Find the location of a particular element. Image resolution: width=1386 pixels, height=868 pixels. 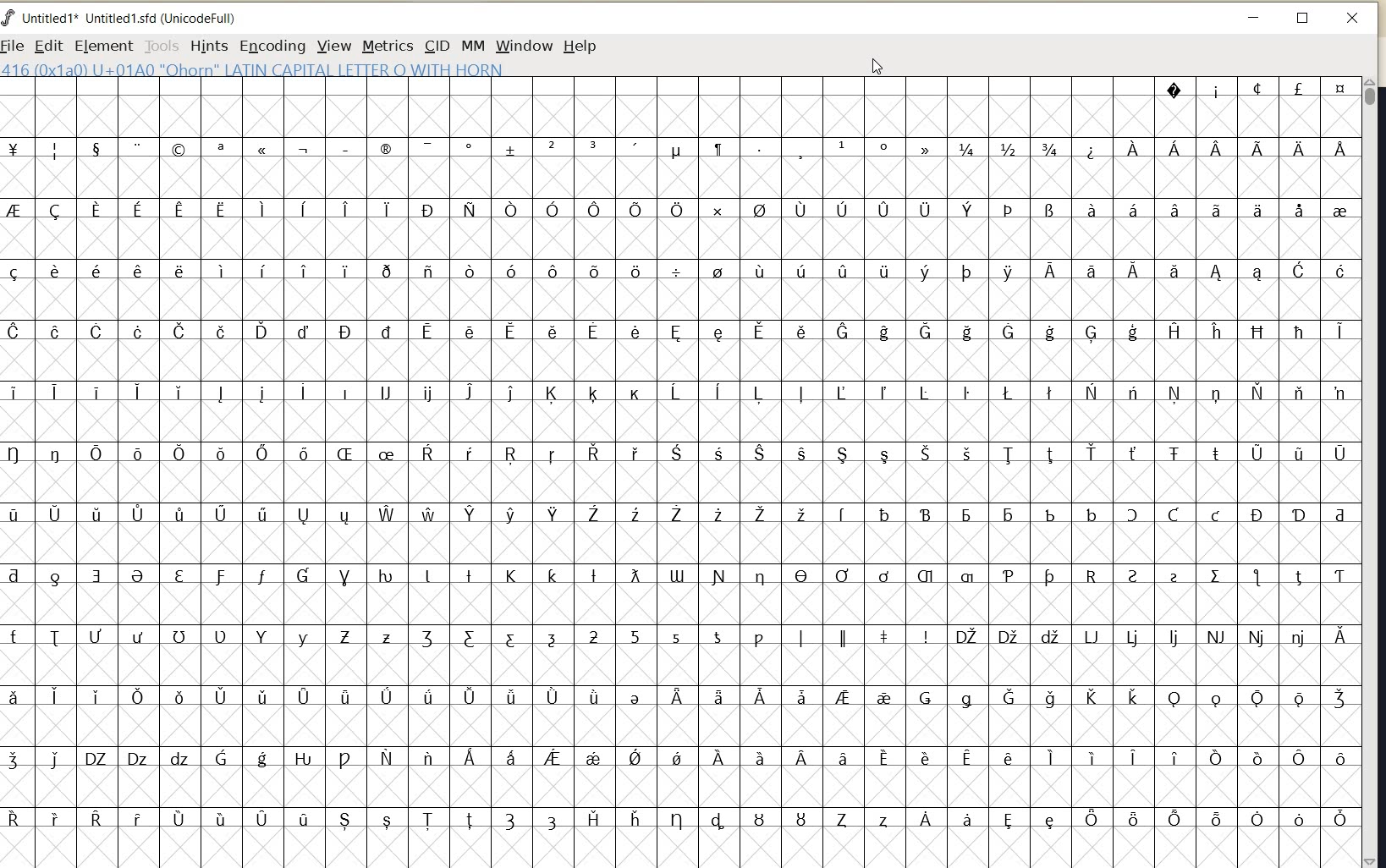

GLYPHY INFO is located at coordinates (254, 70).